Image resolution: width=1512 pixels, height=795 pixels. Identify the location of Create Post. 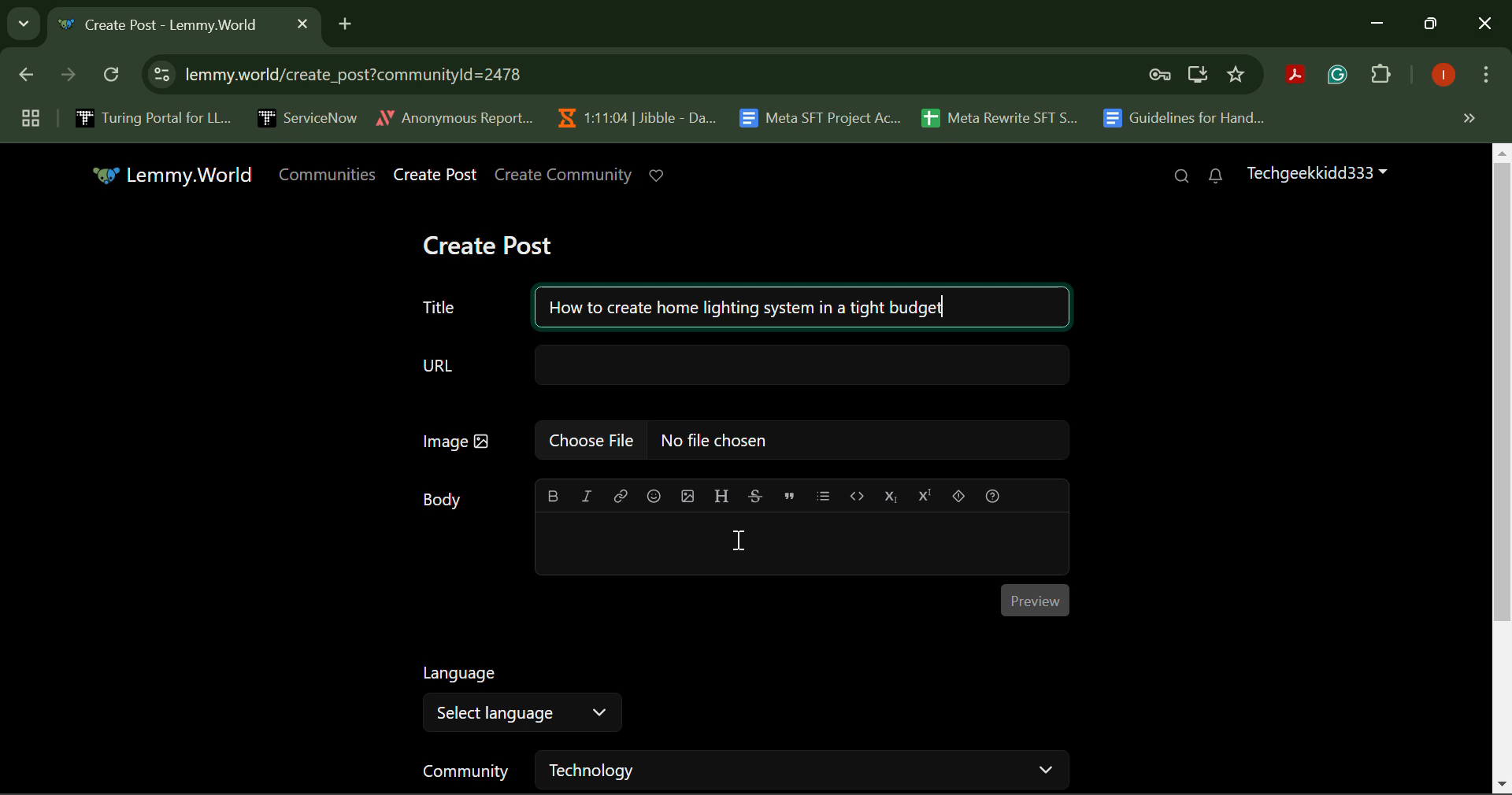
(436, 176).